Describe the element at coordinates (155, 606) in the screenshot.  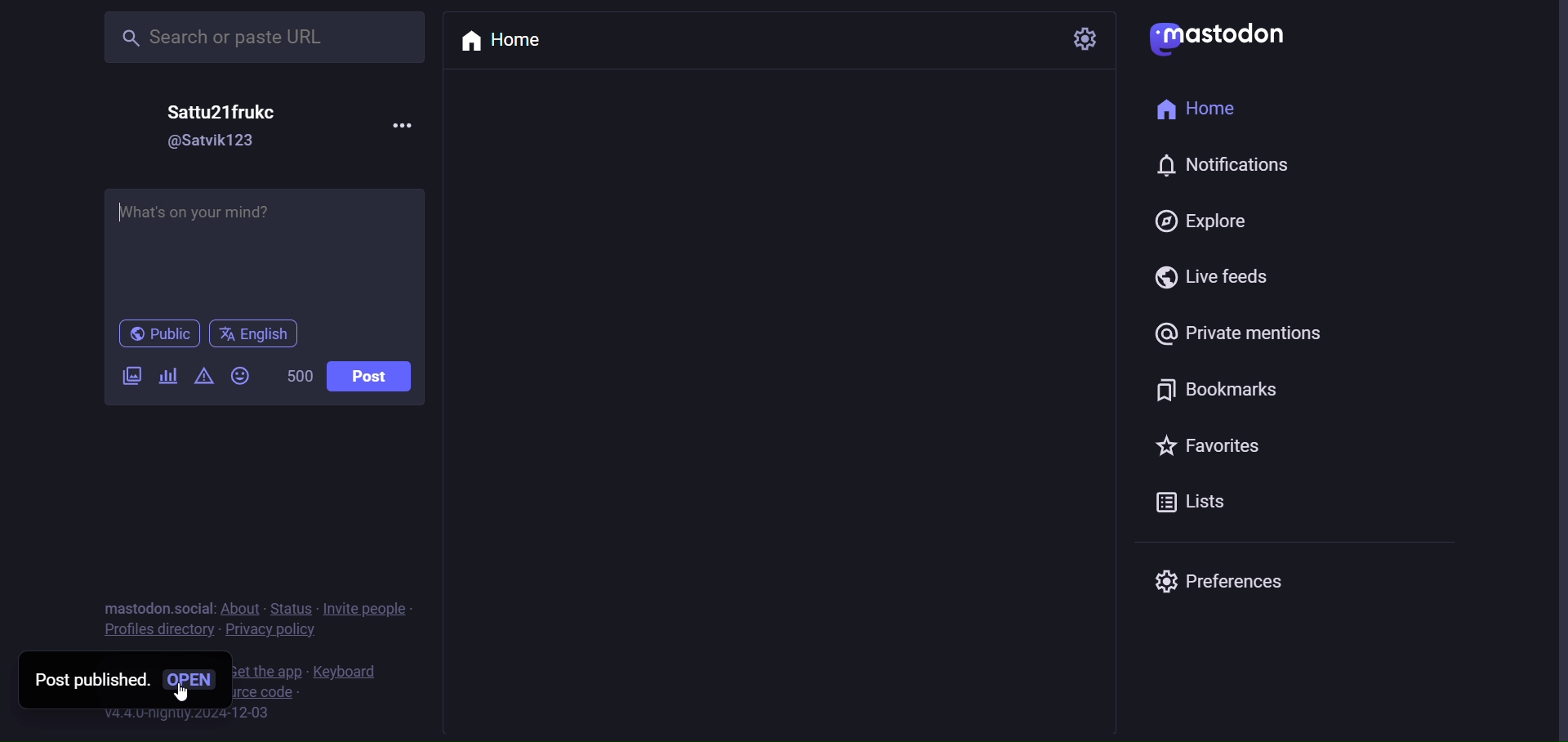
I see `mastodon social` at that location.